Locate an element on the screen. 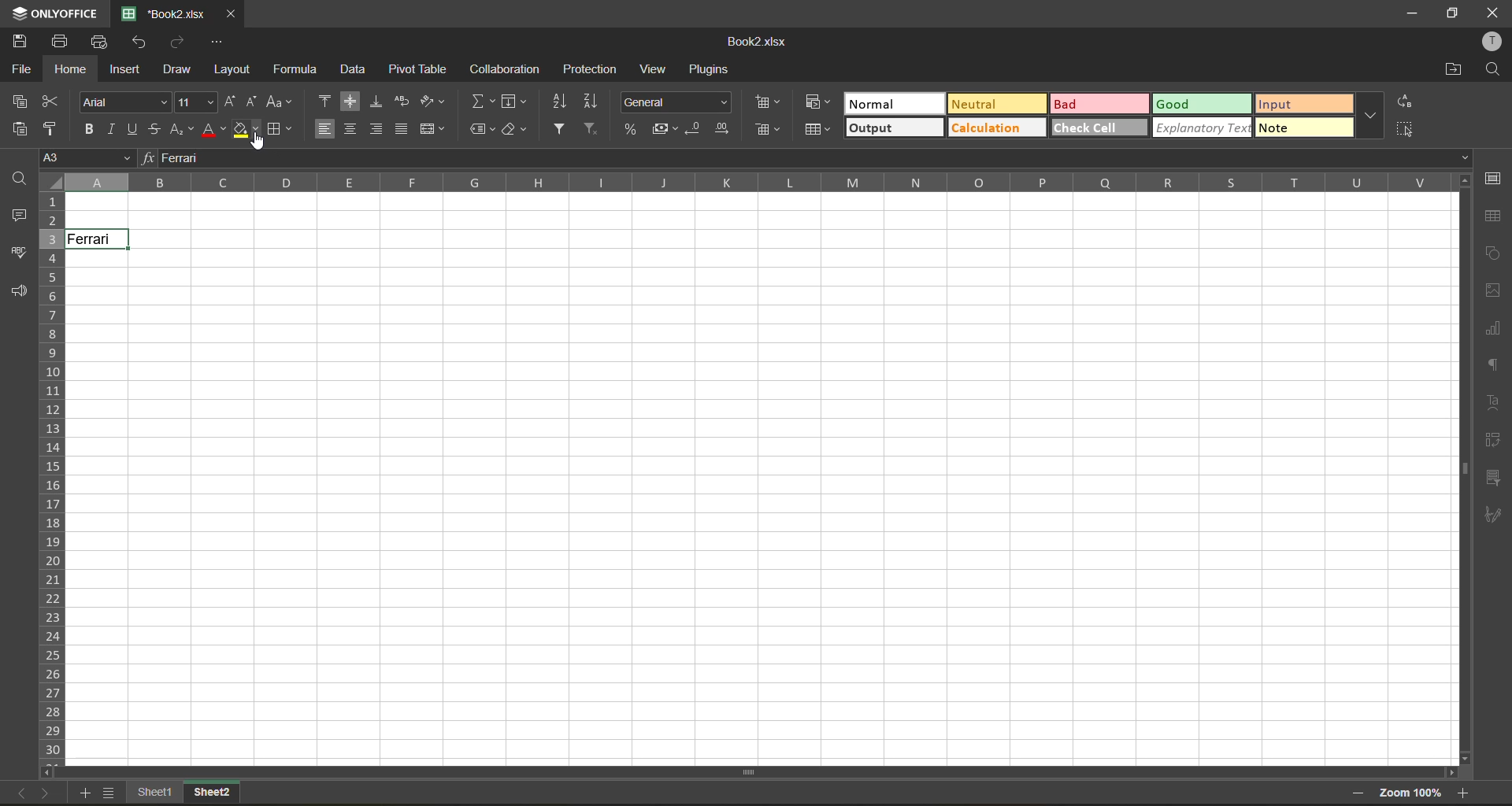 Image resolution: width=1512 pixels, height=806 pixels. save is located at coordinates (21, 40).